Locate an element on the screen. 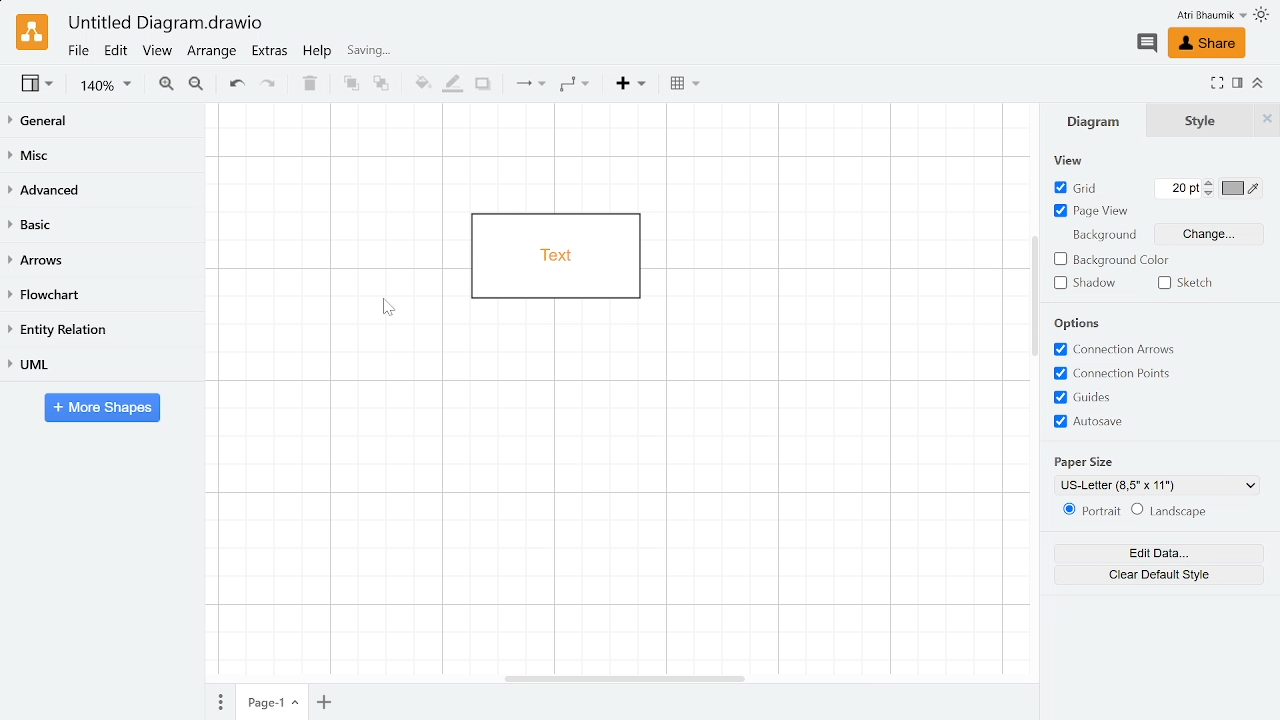 Image resolution: width=1280 pixels, height=720 pixels. Tbale is located at coordinates (686, 87).